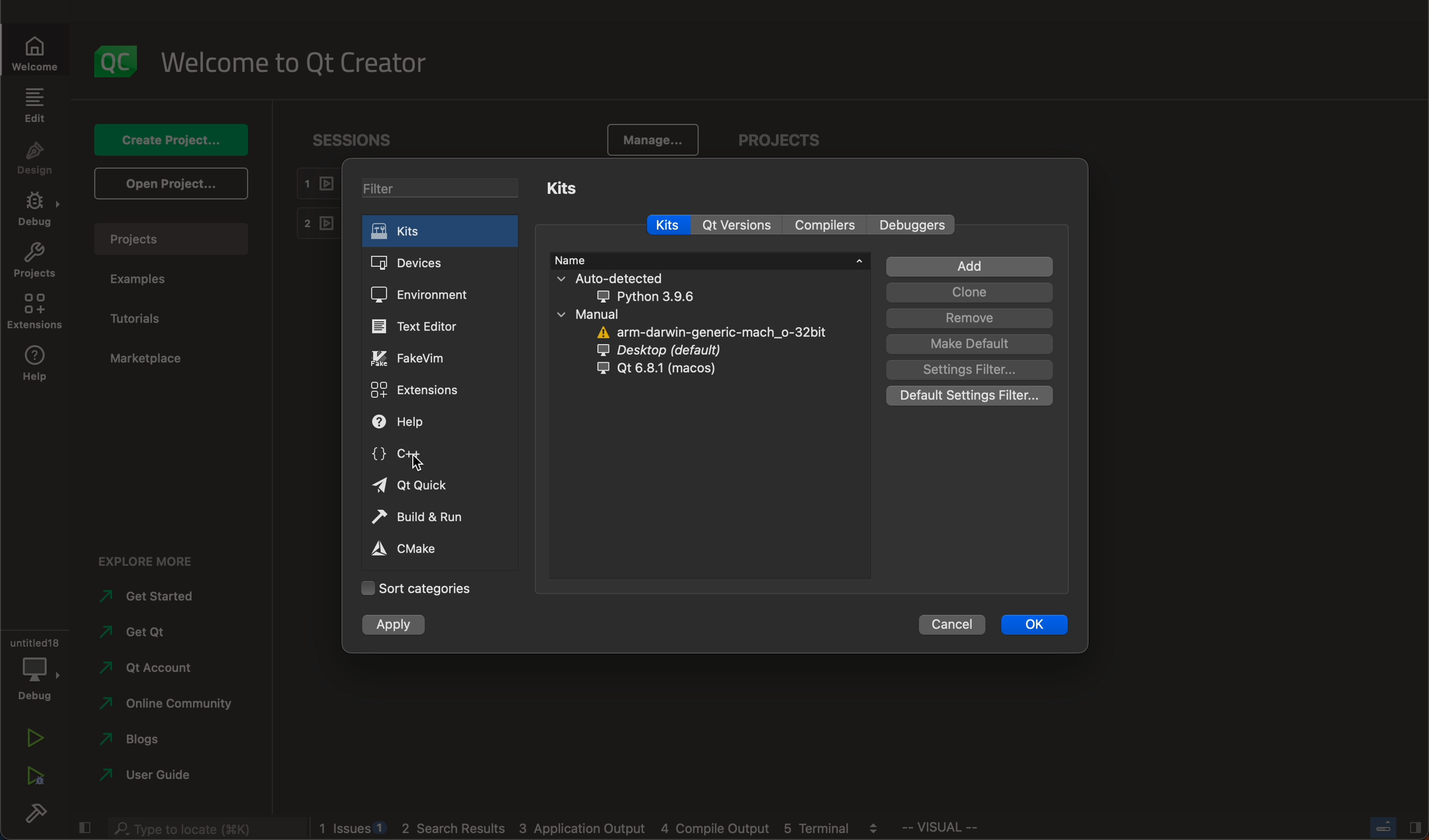 The height and width of the screenshot is (840, 1429). I want to click on account, so click(147, 668).